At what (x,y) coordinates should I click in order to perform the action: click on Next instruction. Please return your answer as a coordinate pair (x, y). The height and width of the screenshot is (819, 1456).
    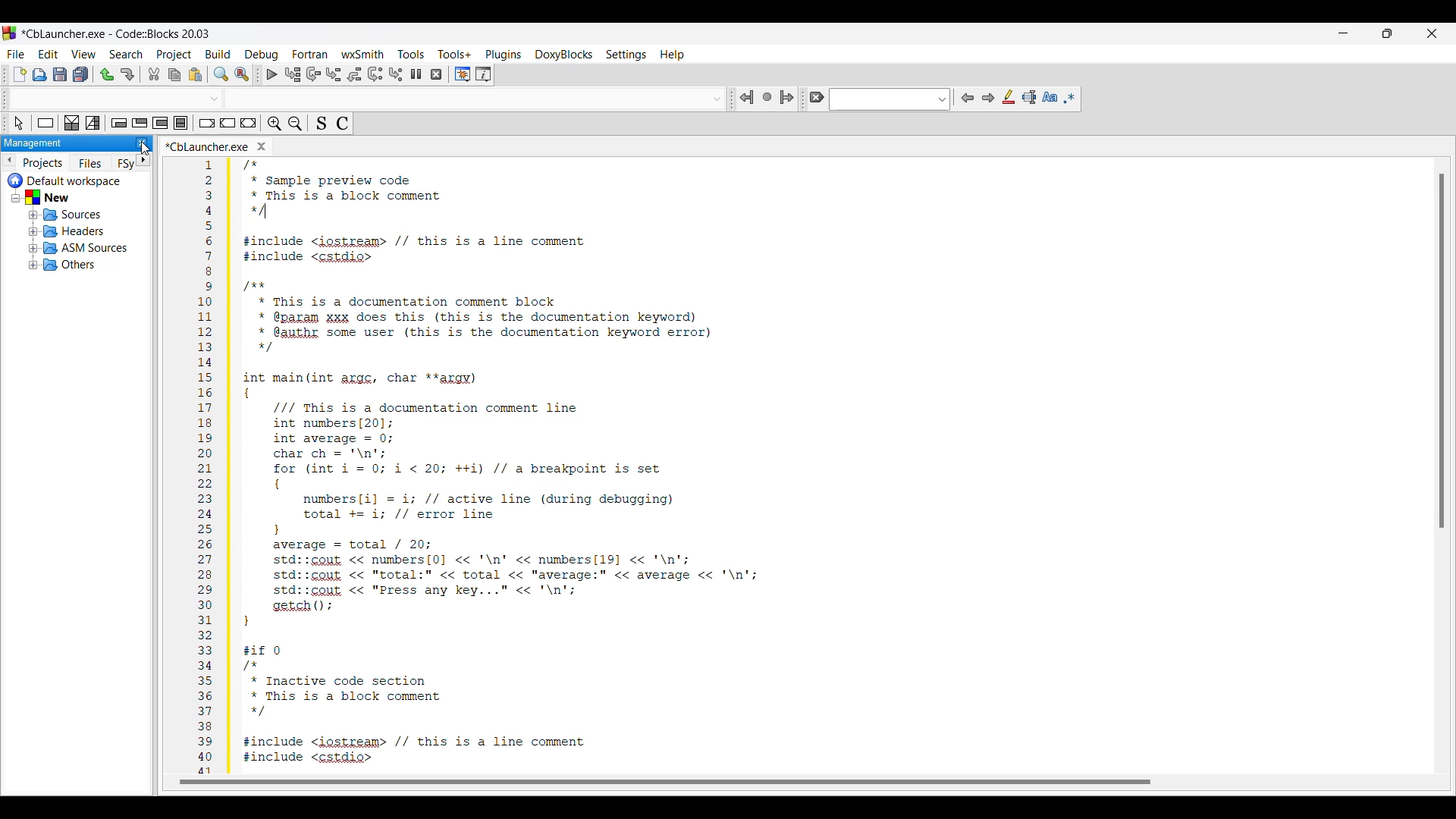
    Looking at the image, I should click on (375, 74).